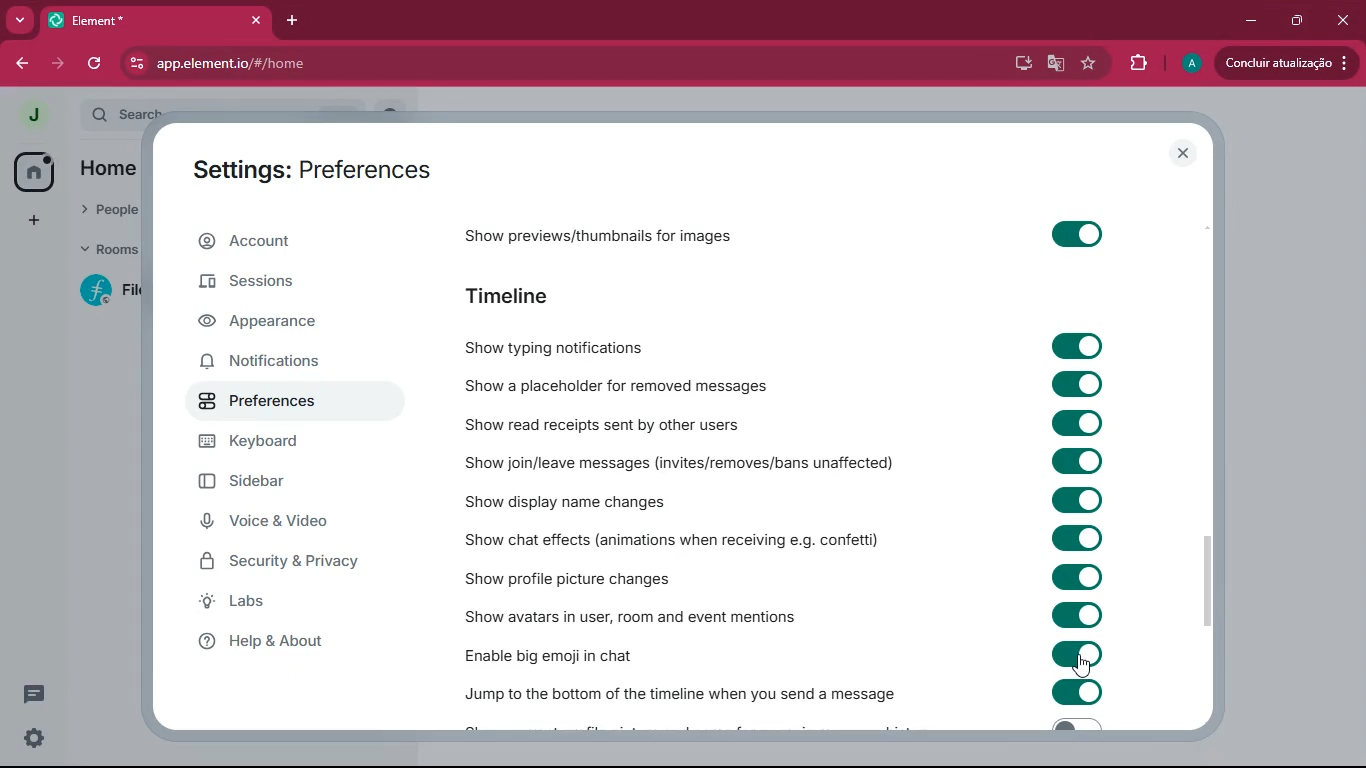 This screenshot has height=768, width=1366. What do you see at coordinates (628, 616) in the screenshot?
I see `show avatars in user, room and event mentions` at bounding box center [628, 616].